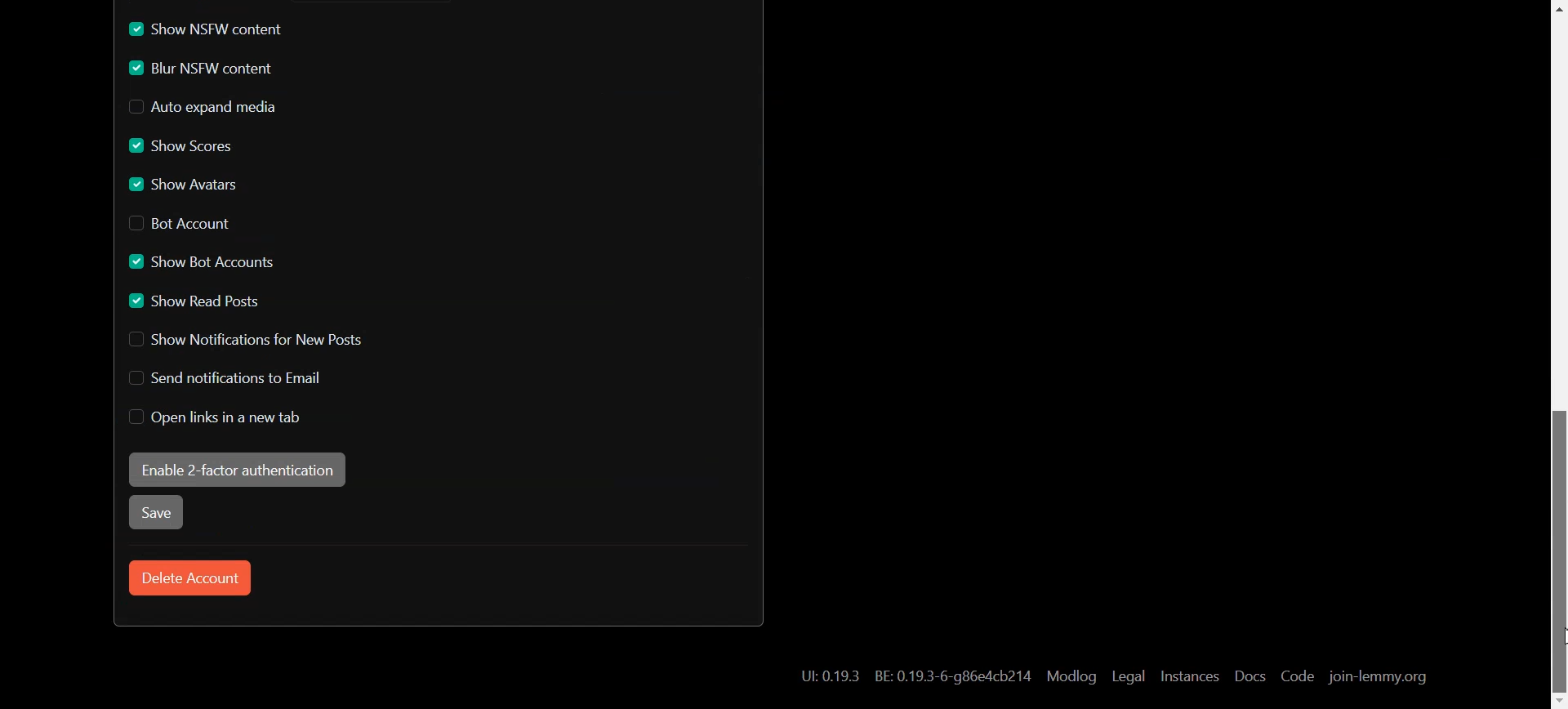 The image size is (1568, 709). What do you see at coordinates (232, 377) in the screenshot?
I see `Disable Send notification to Email` at bounding box center [232, 377].